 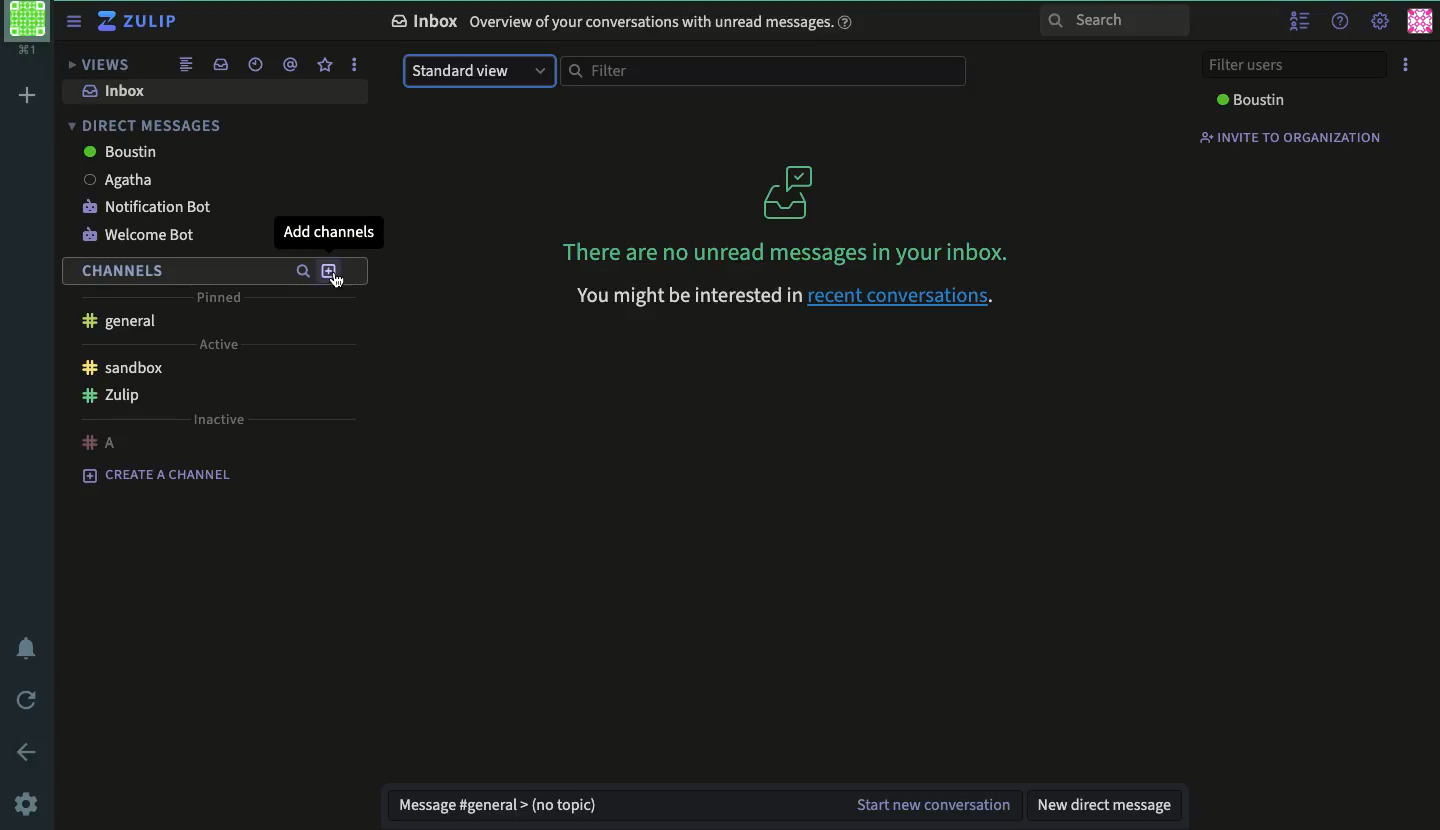 What do you see at coordinates (254, 65) in the screenshot?
I see `recent conversation` at bounding box center [254, 65].